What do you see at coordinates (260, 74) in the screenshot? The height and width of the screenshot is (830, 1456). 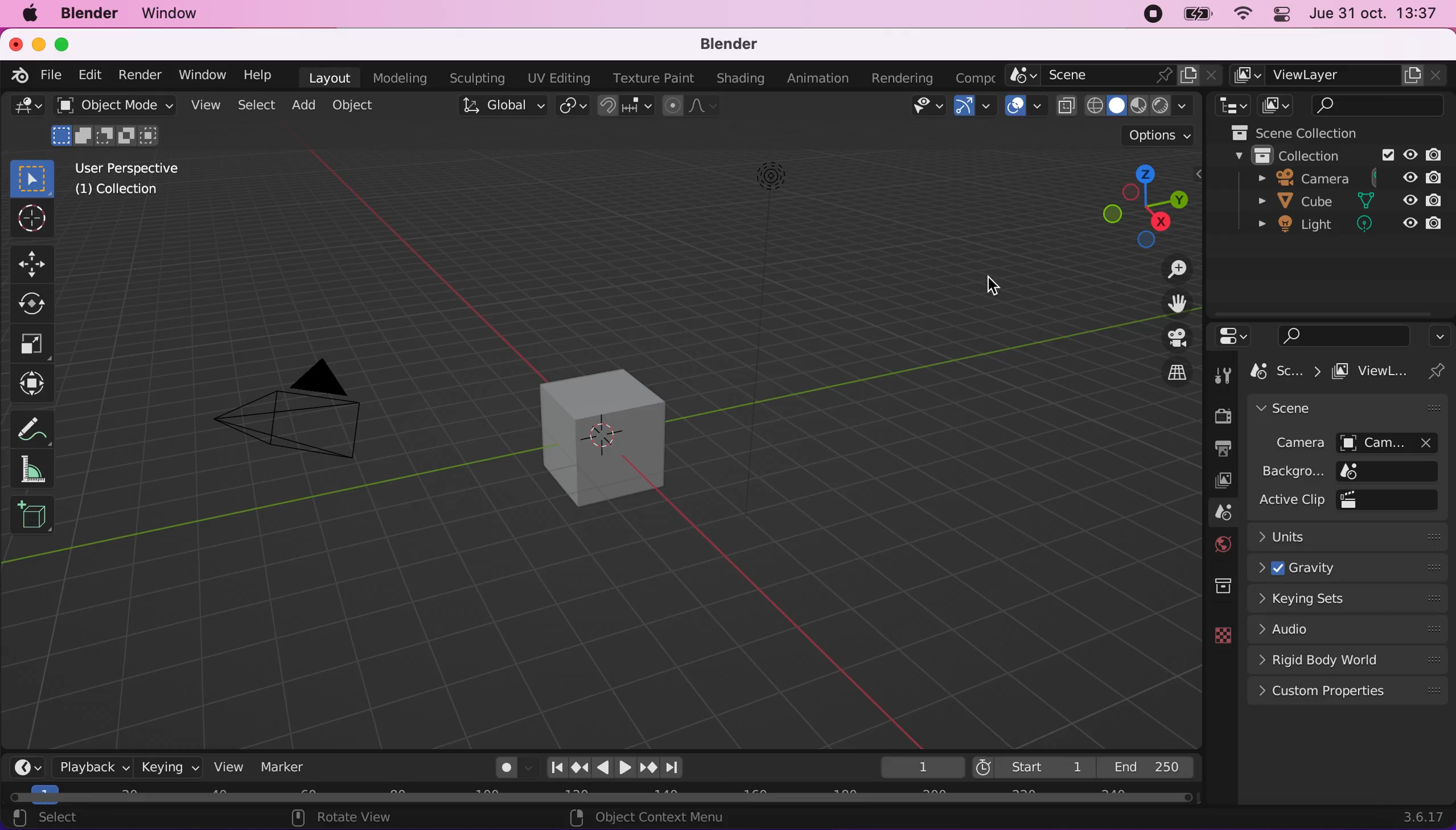 I see `help` at bounding box center [260, 74].